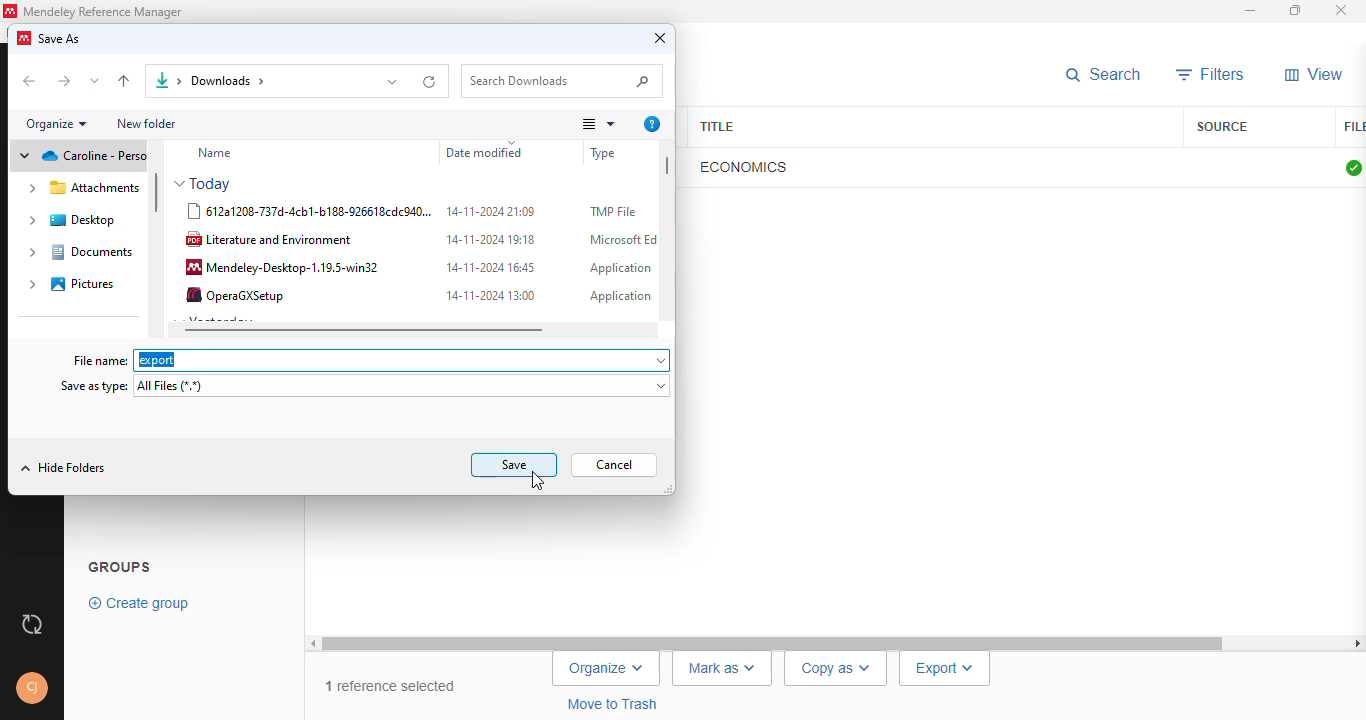 This screenshot has width=1366, height=720. Describe the element at coordinates (81, 252) in the screenshot. I see `documents` at that location.